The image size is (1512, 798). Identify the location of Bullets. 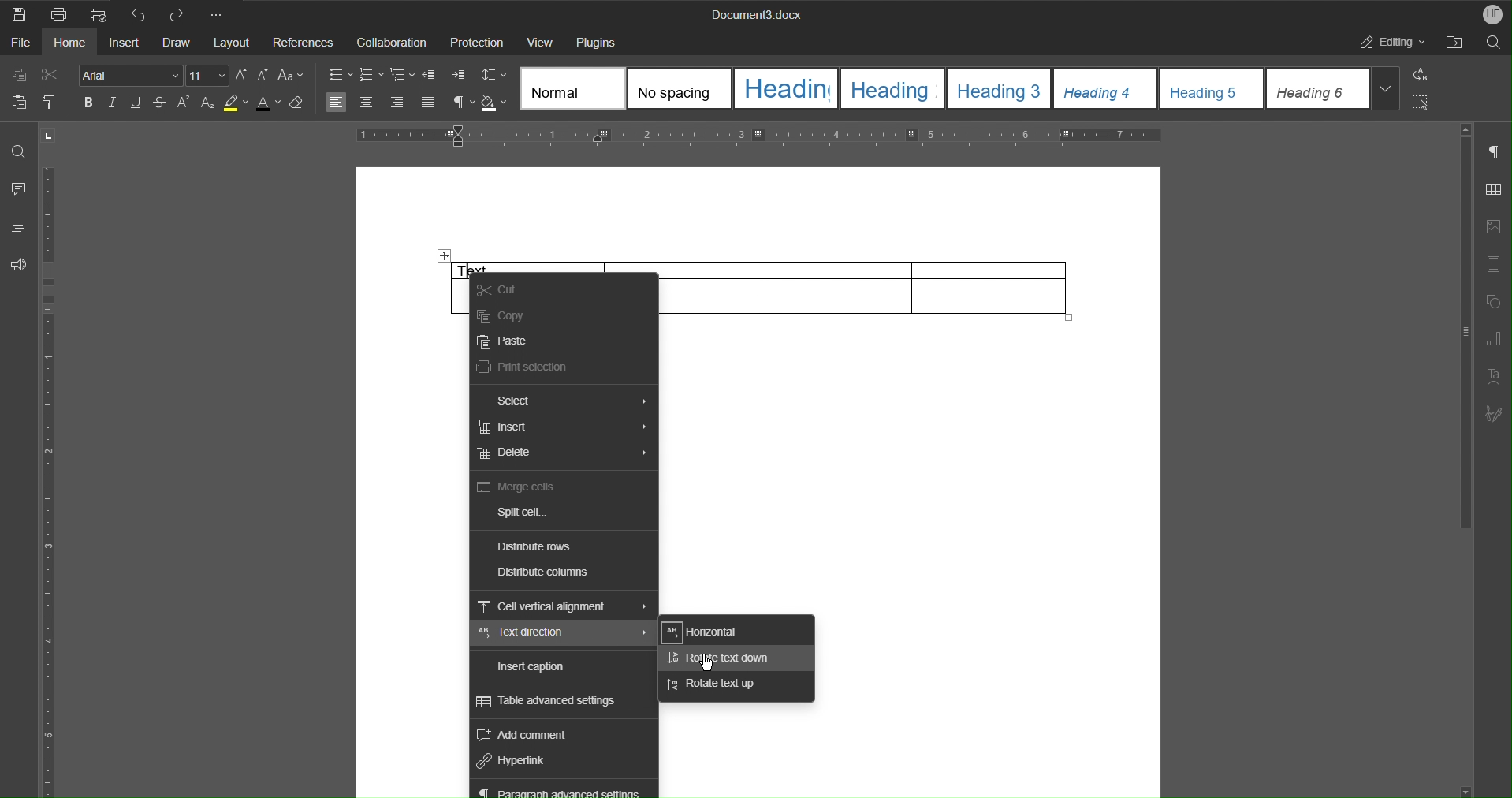
(339, 75).